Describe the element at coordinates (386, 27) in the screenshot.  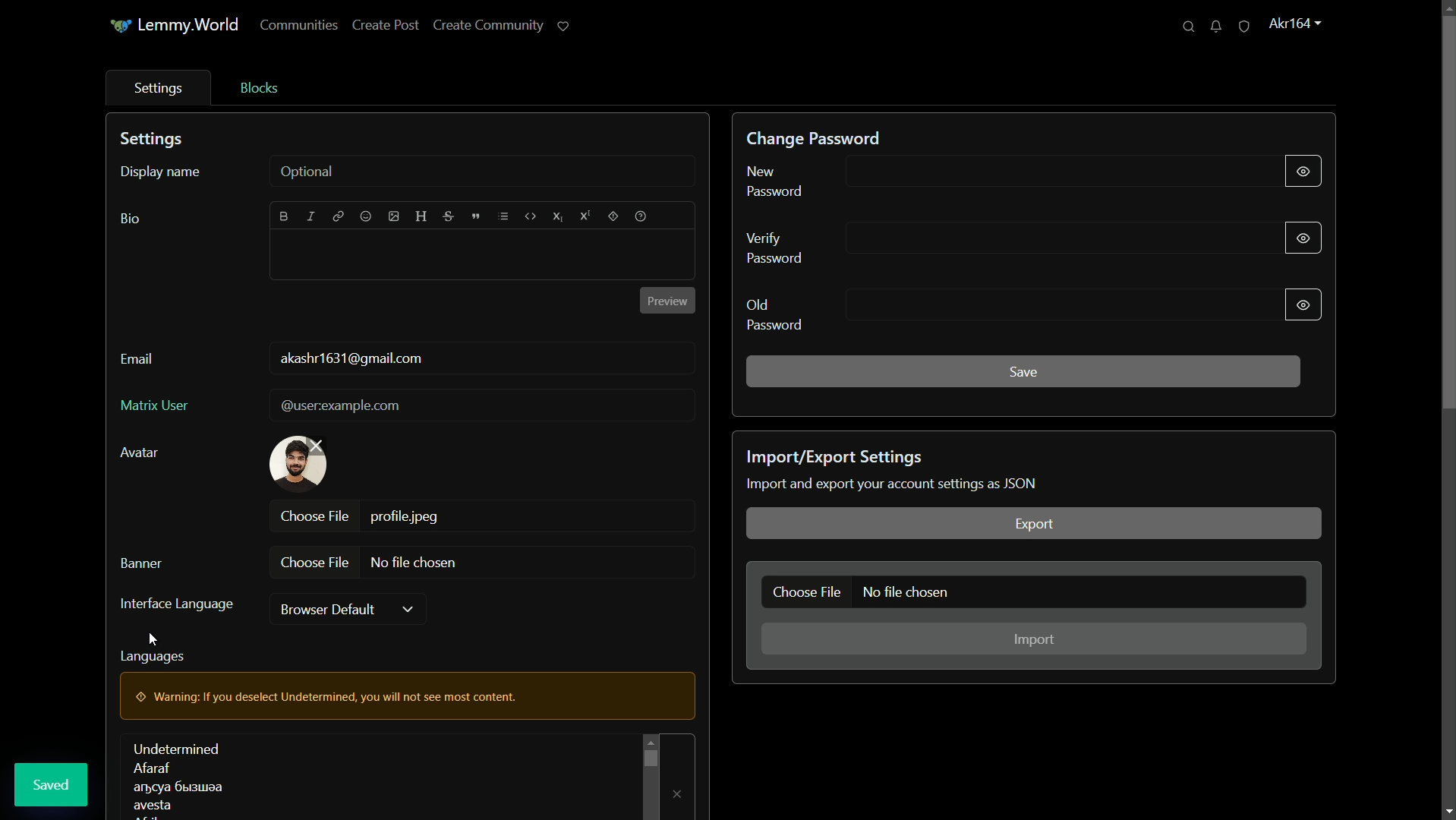
I see `create post` at that location.